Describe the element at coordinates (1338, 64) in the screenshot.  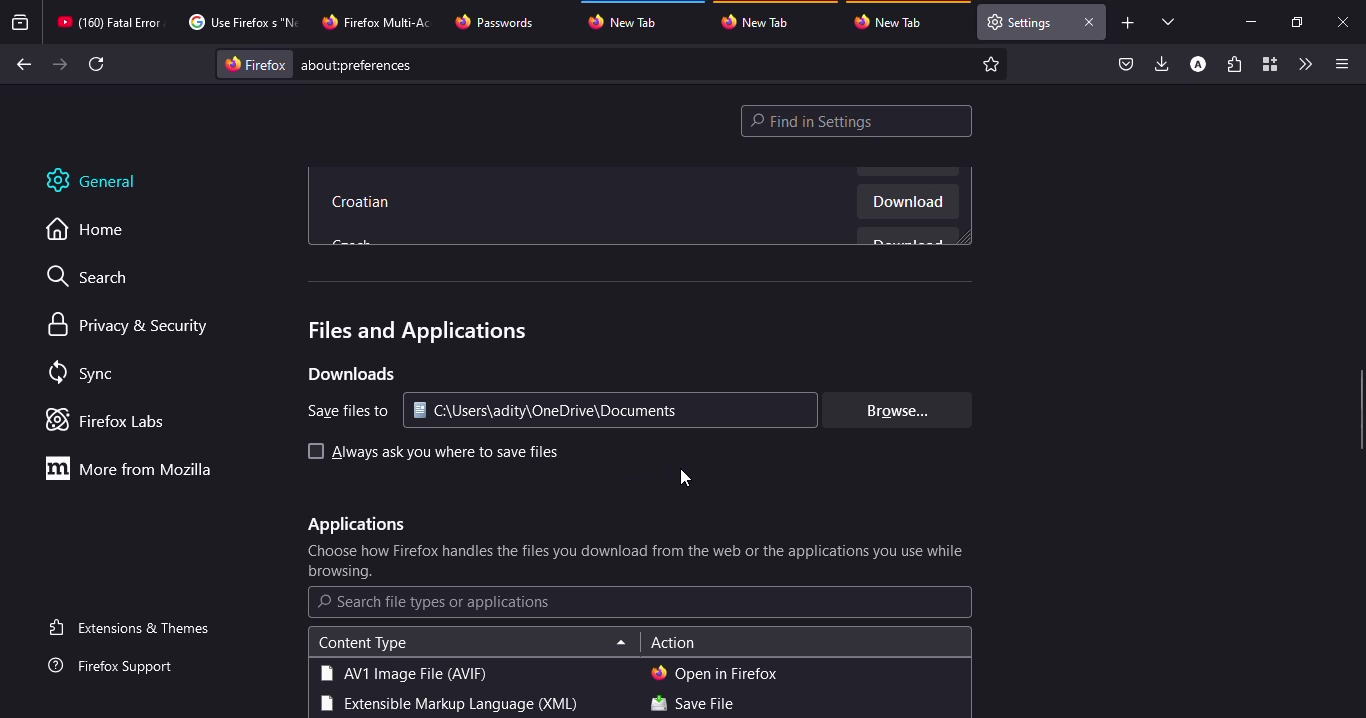
I see `menu` at that location.